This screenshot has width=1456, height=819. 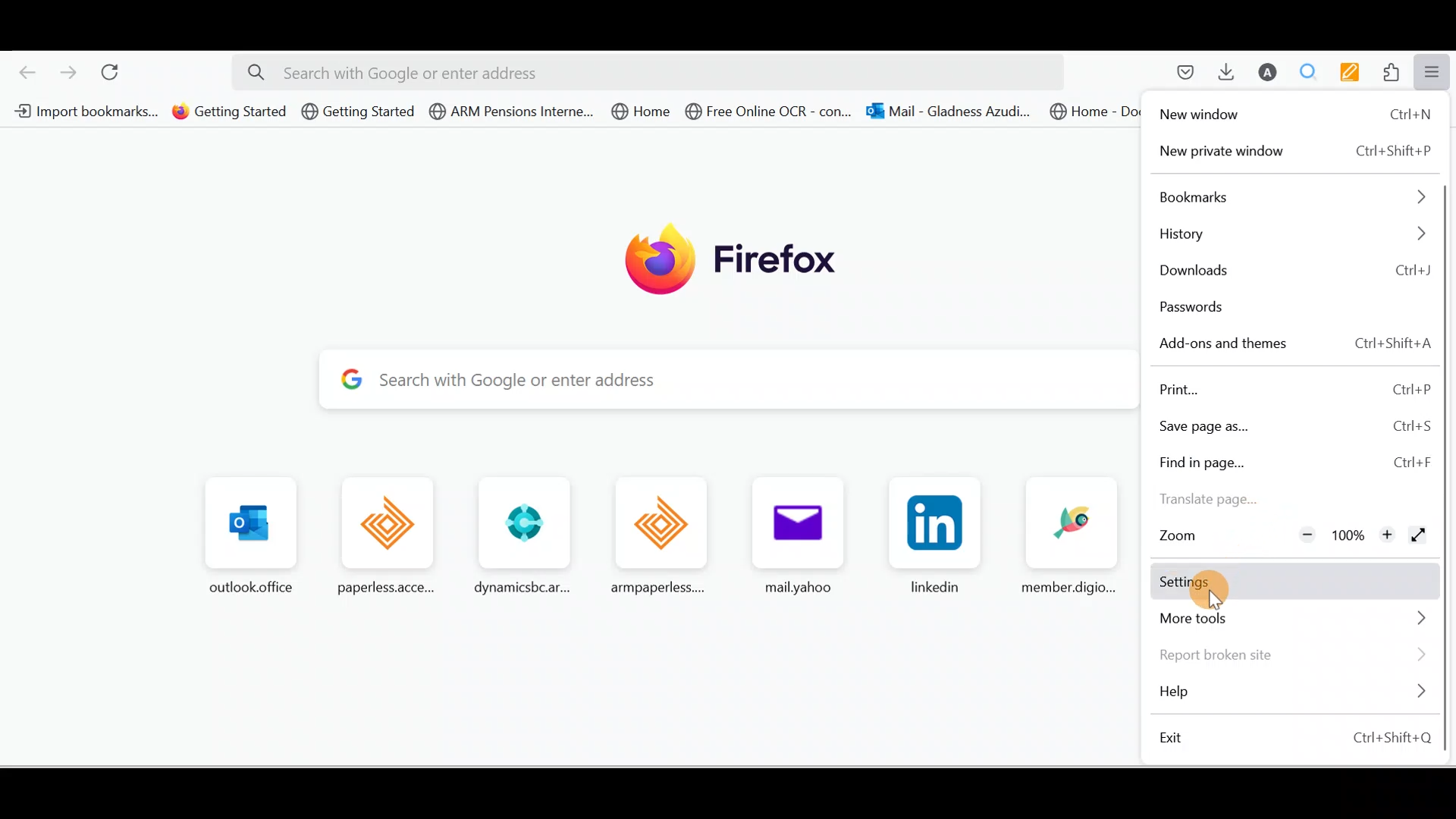 I want to click on Translate oage, so click(x=1236, y=502).